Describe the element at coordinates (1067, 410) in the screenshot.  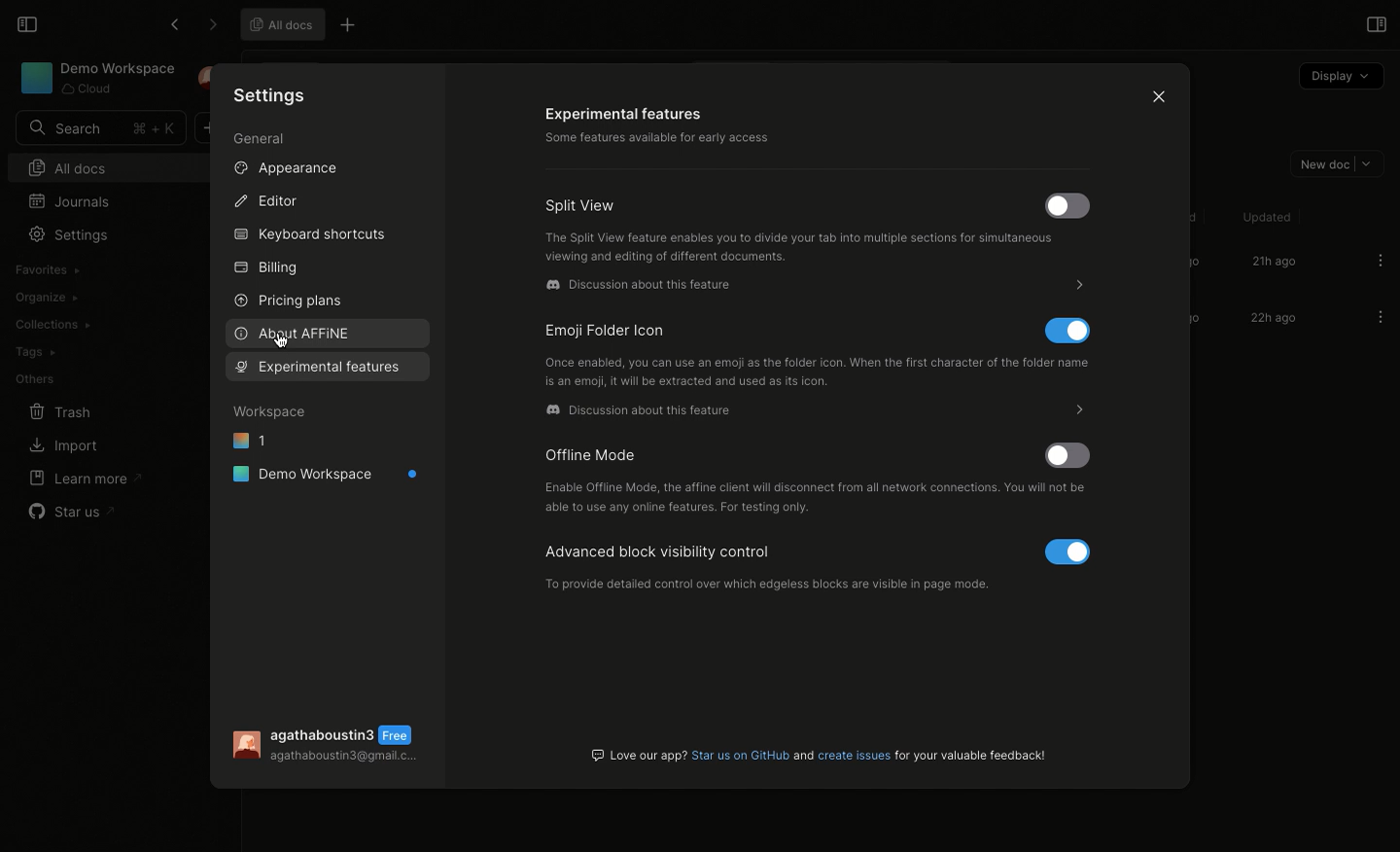
I see `More` at that location.